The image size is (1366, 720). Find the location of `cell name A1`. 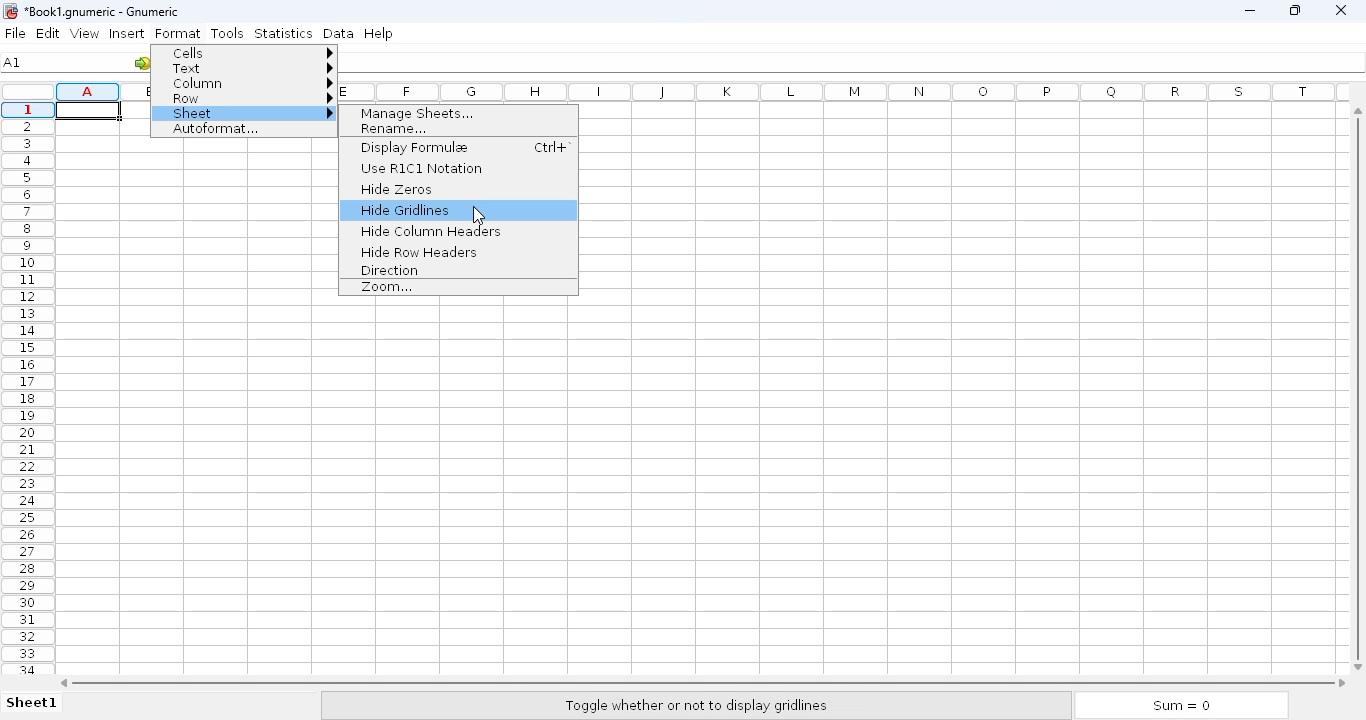

cell name A1 is located at coordinates (13, 62).